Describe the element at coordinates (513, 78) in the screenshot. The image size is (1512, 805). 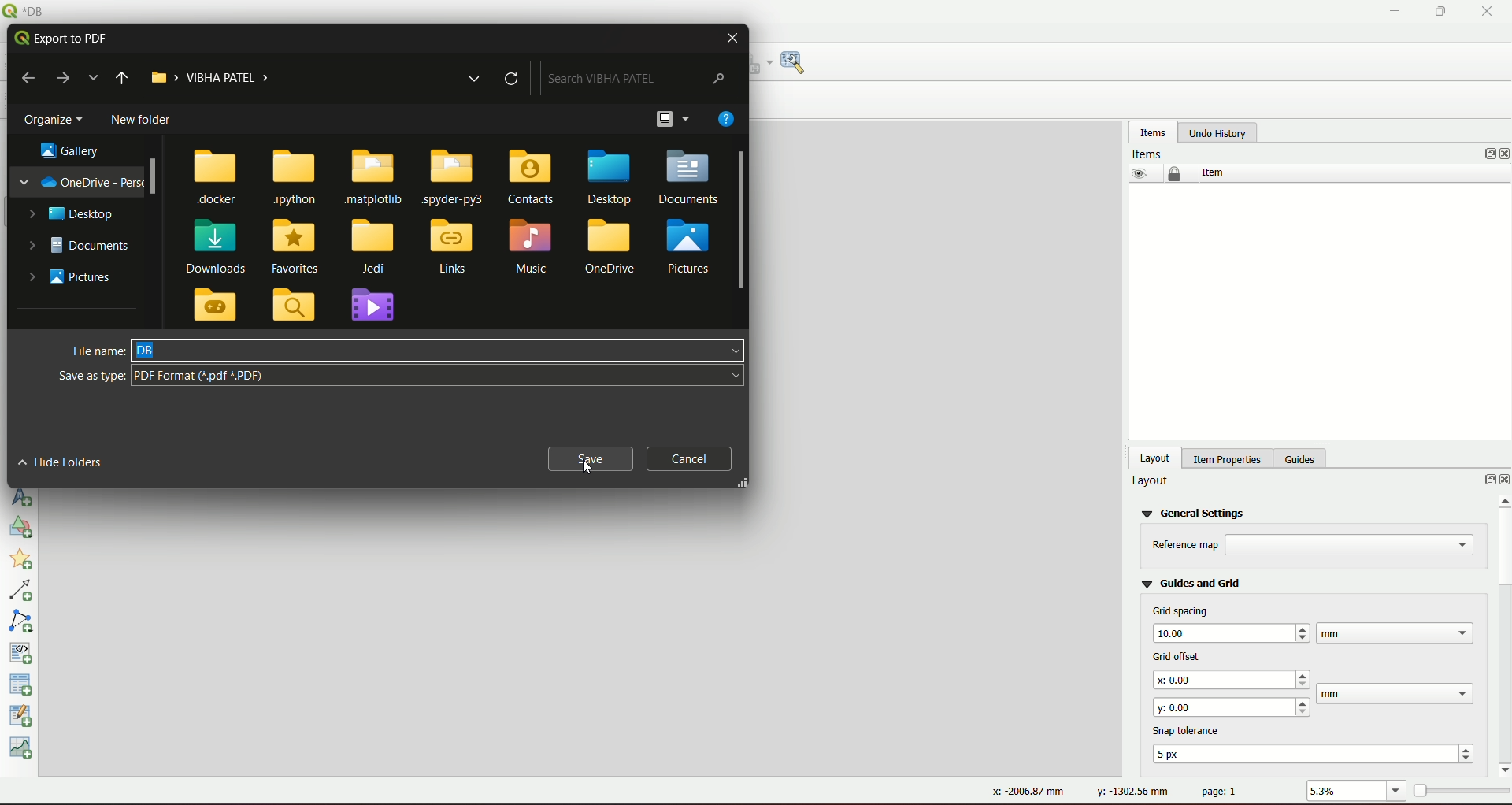
I see `refresh` at that location.